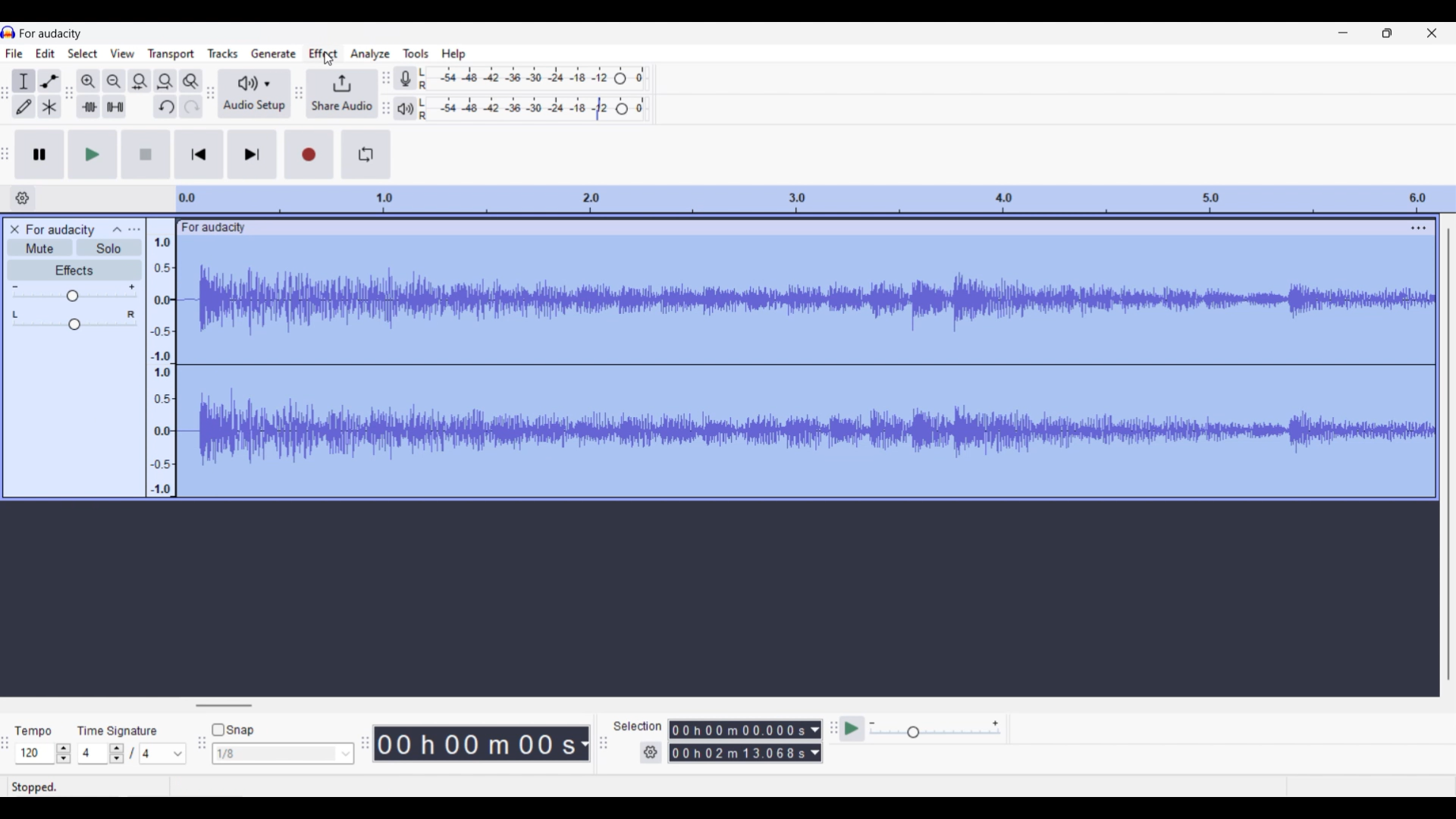  What do you see at coordinates (637, 725) in the screenshot?
I see `Selection` at bounding box center [637, 725].